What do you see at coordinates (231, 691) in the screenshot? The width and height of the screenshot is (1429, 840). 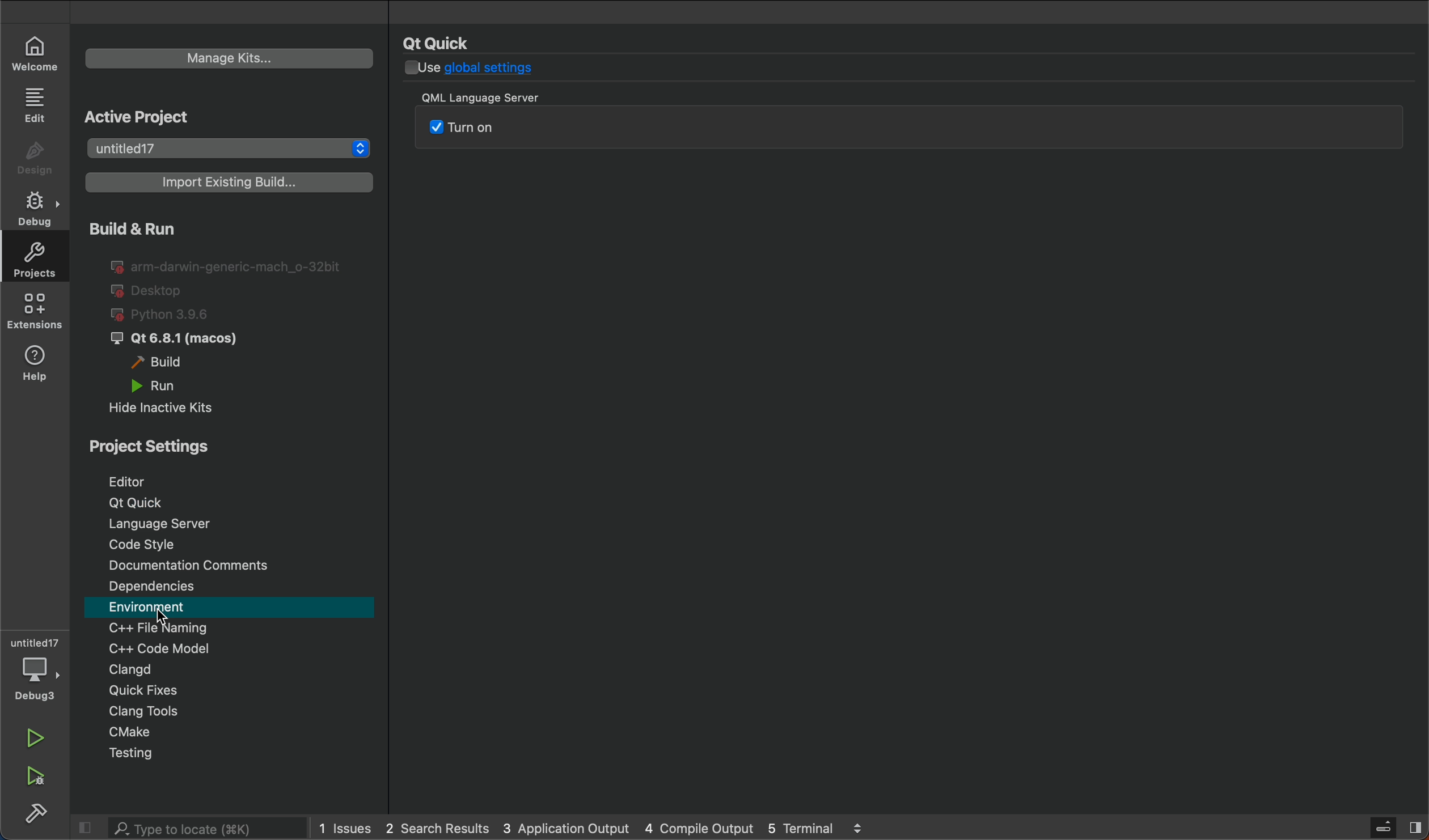 I see `quick fixes` at bounding box center [231, 691].